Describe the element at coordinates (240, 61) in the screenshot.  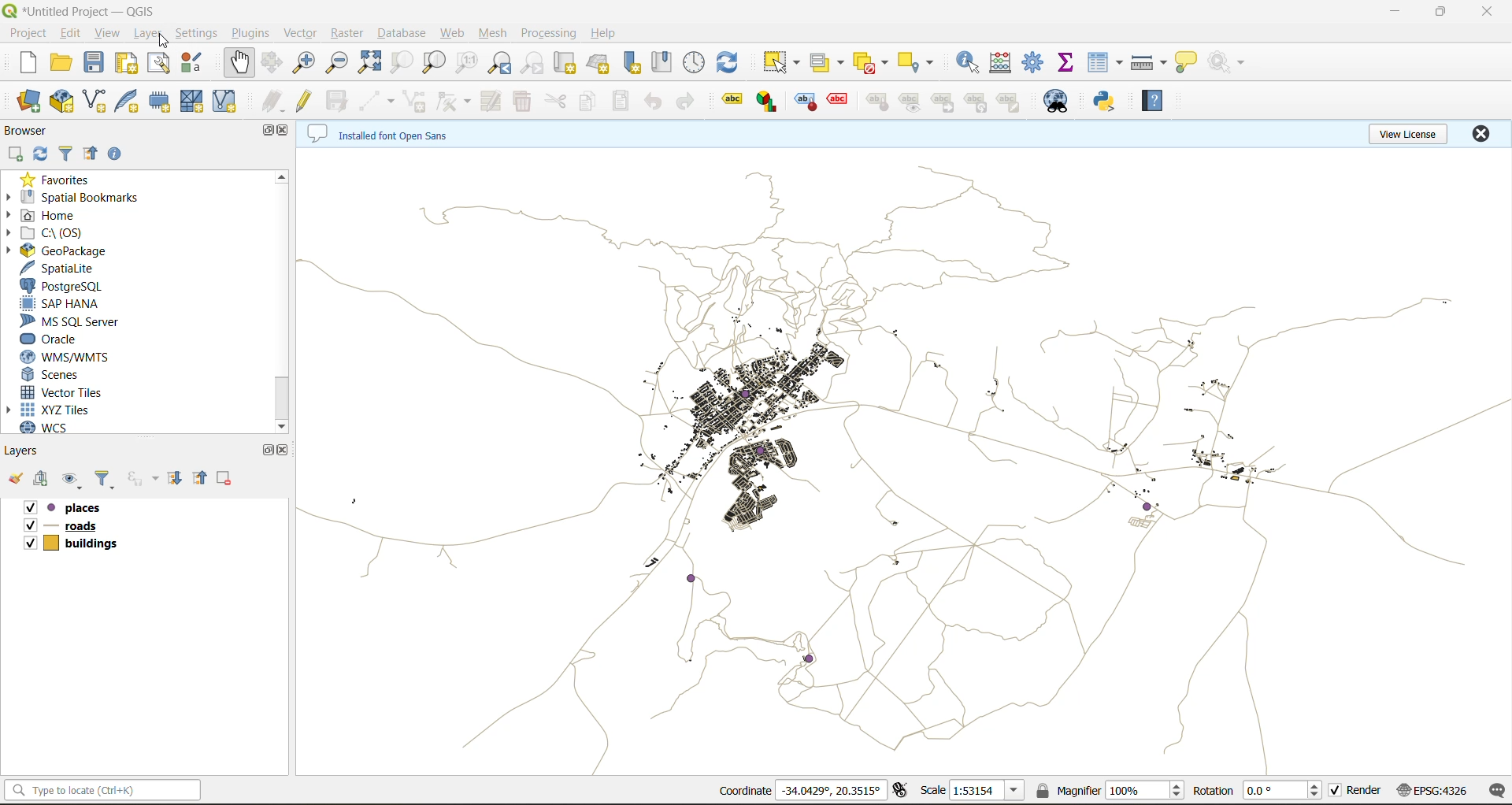
I see `pan map` at that location.